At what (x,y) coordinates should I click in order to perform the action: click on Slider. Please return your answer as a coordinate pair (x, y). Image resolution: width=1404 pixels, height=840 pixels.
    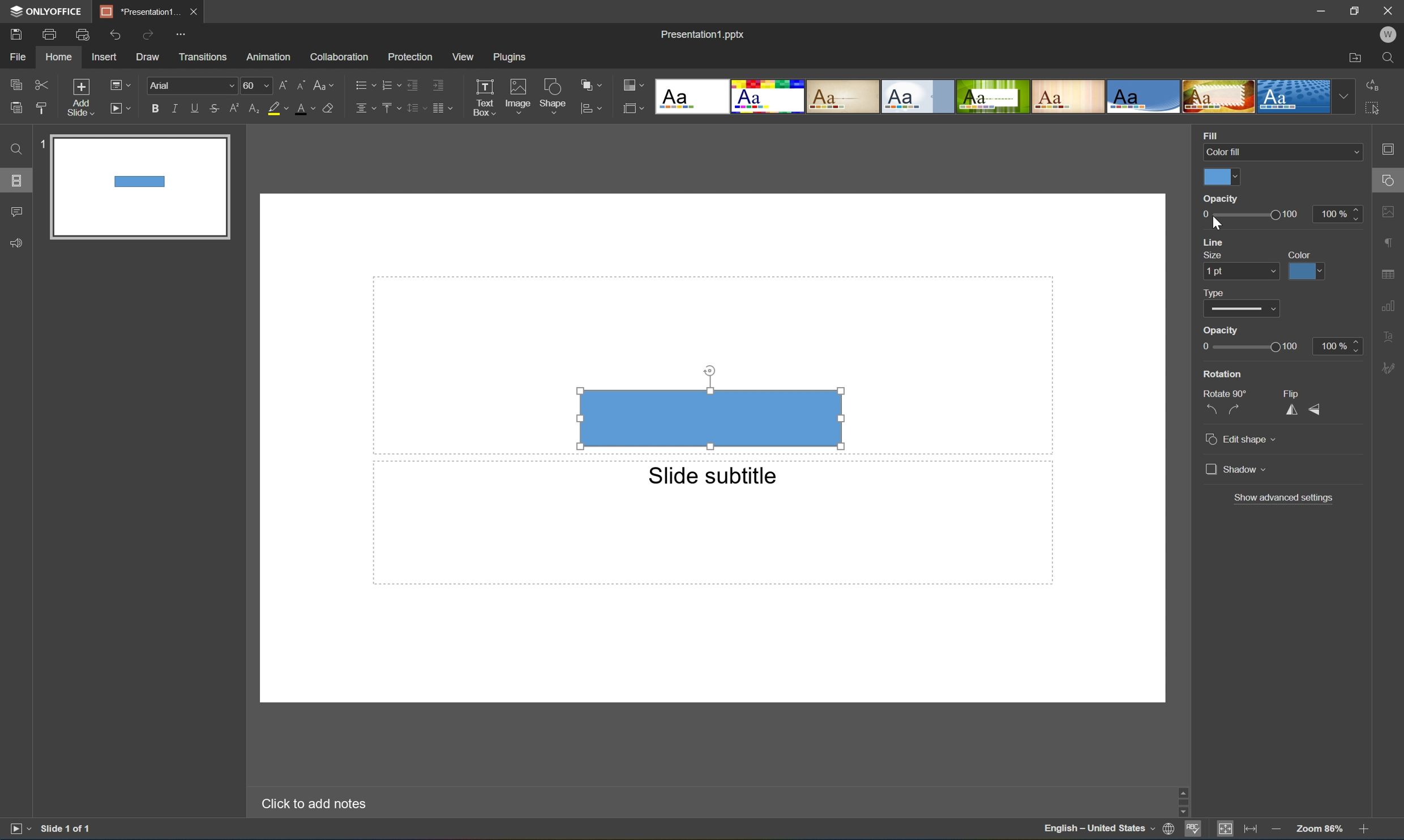
    Looking at the image, I should click on (1182, 801).